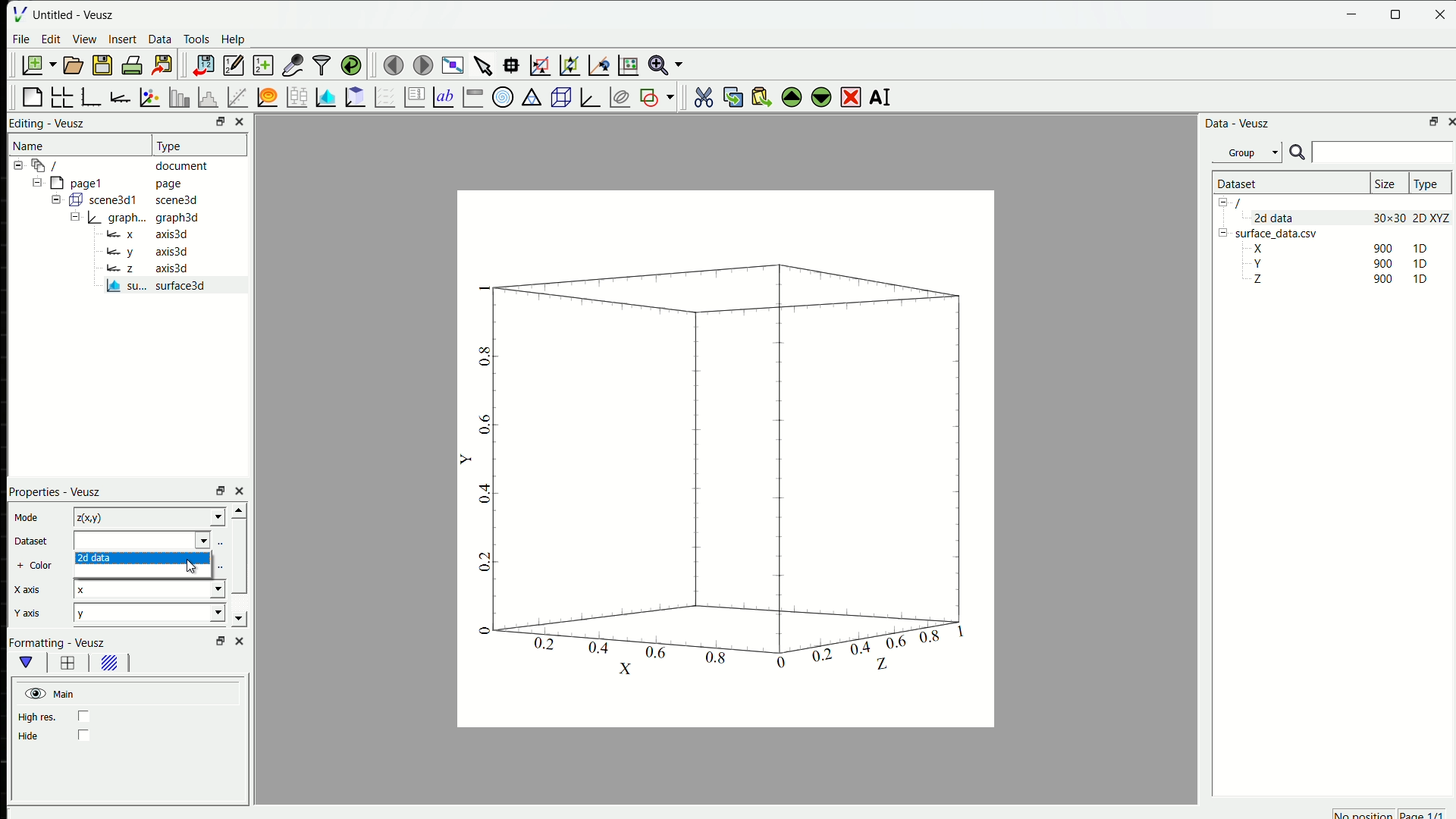 This screenshot has height=819, width=1456. I want to click on plot key, so click(416, 97).